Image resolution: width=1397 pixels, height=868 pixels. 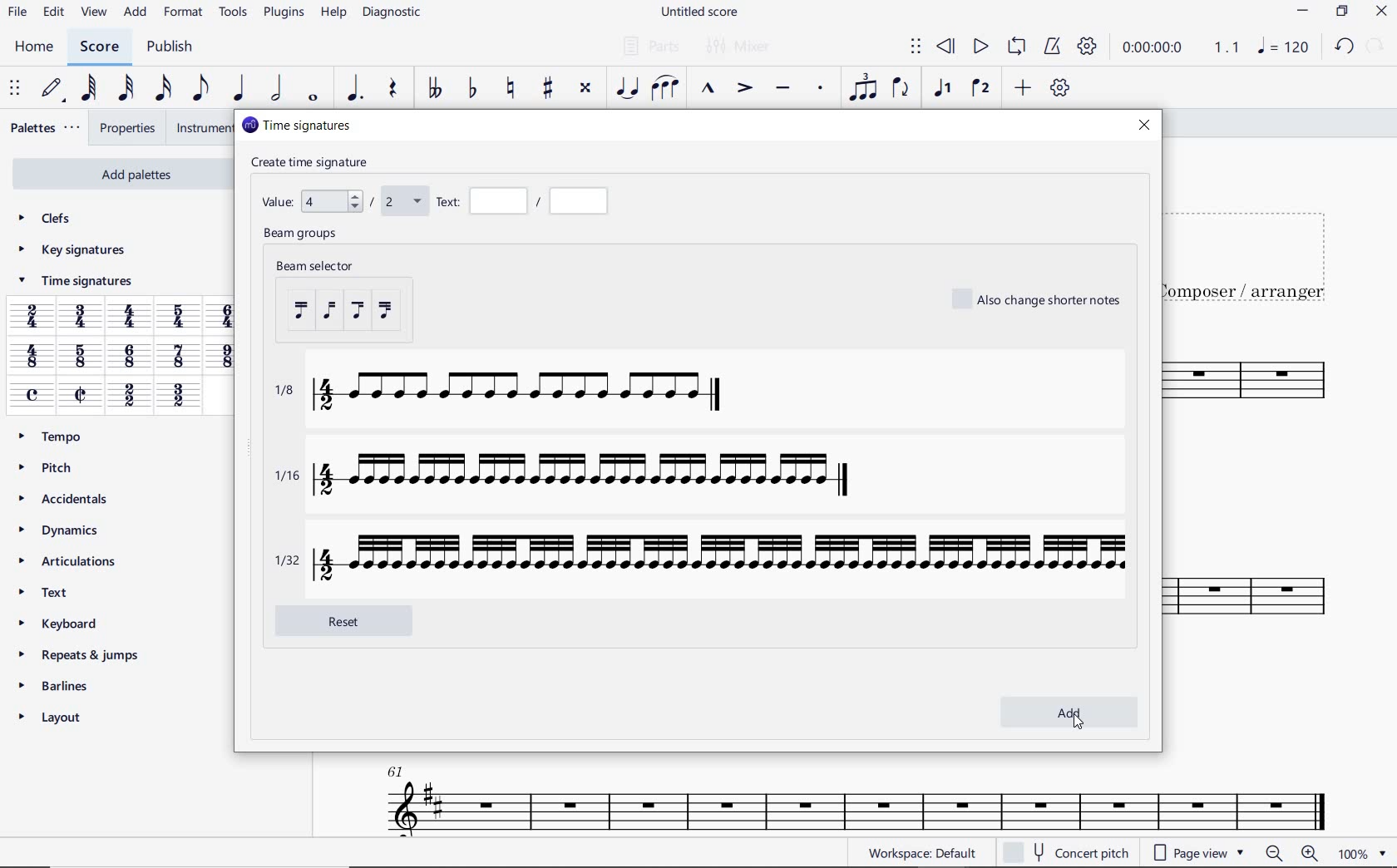 What do you see at coordinates (17, 90) in the screenshot?
I see `SELECET TO MOVE` at bounding box center [17, 90].